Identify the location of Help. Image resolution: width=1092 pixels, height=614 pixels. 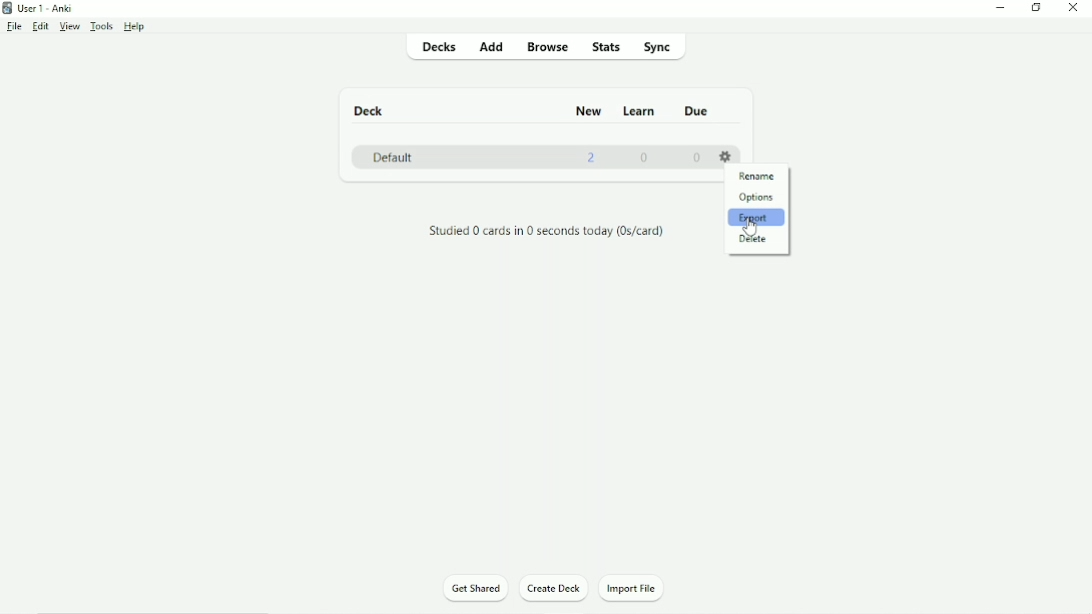
(136, 27).